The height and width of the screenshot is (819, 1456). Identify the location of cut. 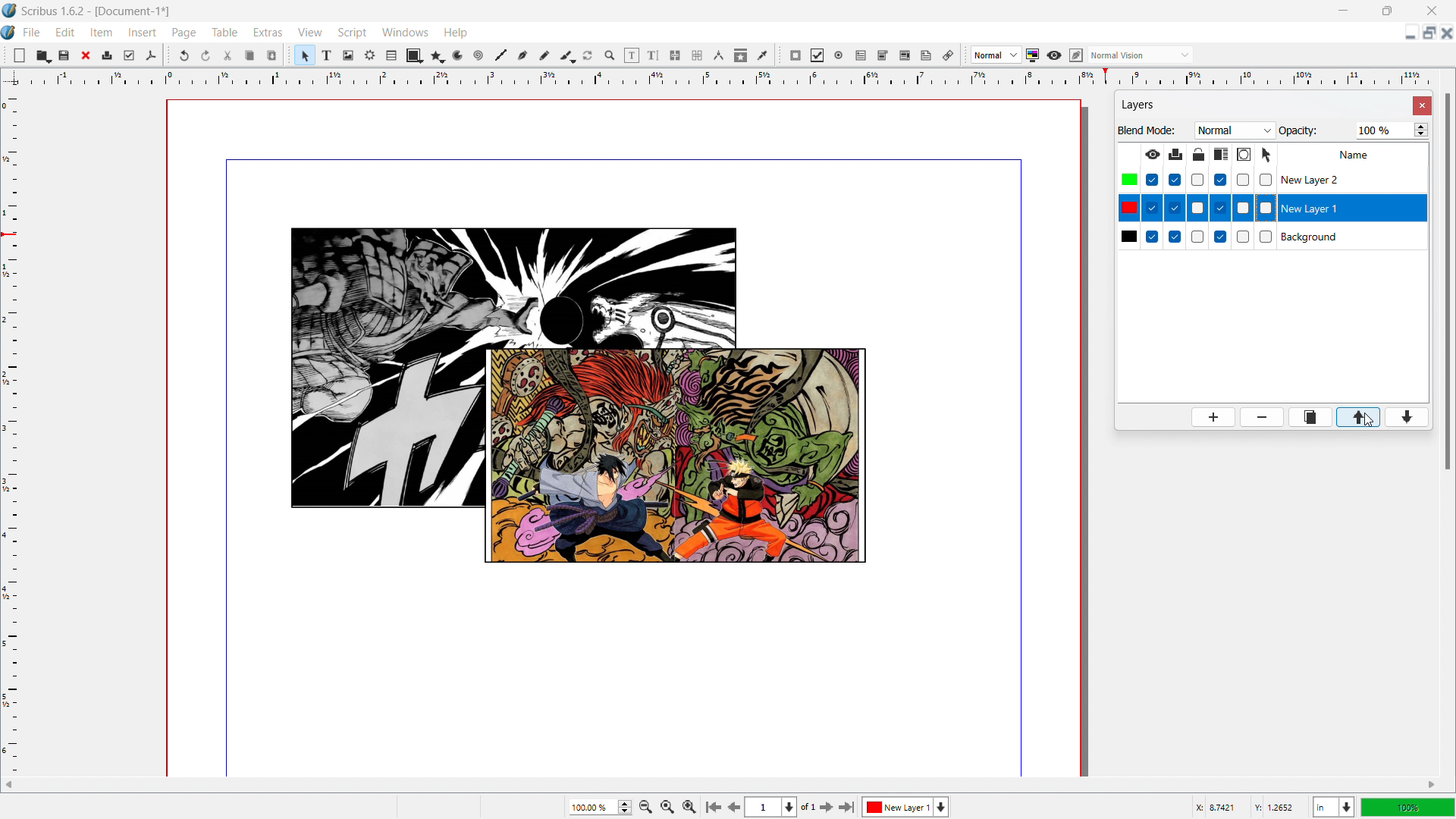
(227, 56).